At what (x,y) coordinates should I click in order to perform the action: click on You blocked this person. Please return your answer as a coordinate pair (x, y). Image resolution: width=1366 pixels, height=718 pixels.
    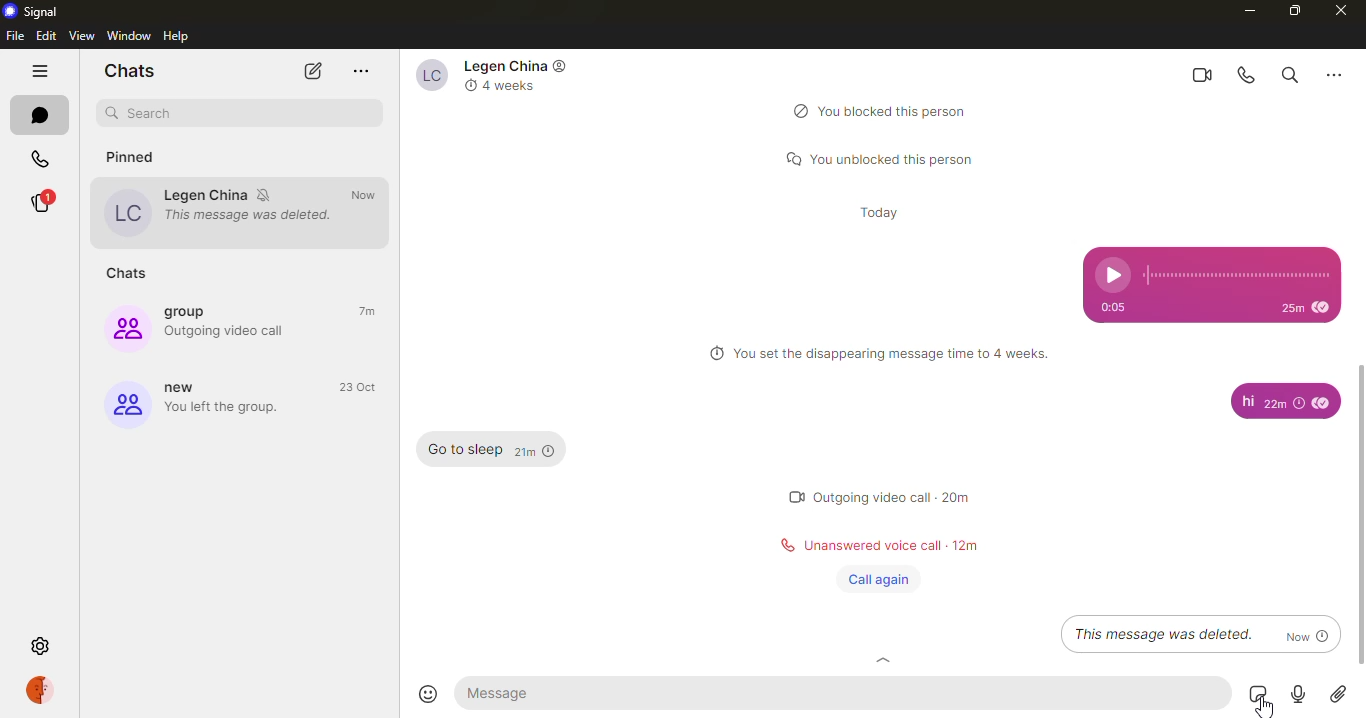
    Looking at the image, I should click on (897, 111).